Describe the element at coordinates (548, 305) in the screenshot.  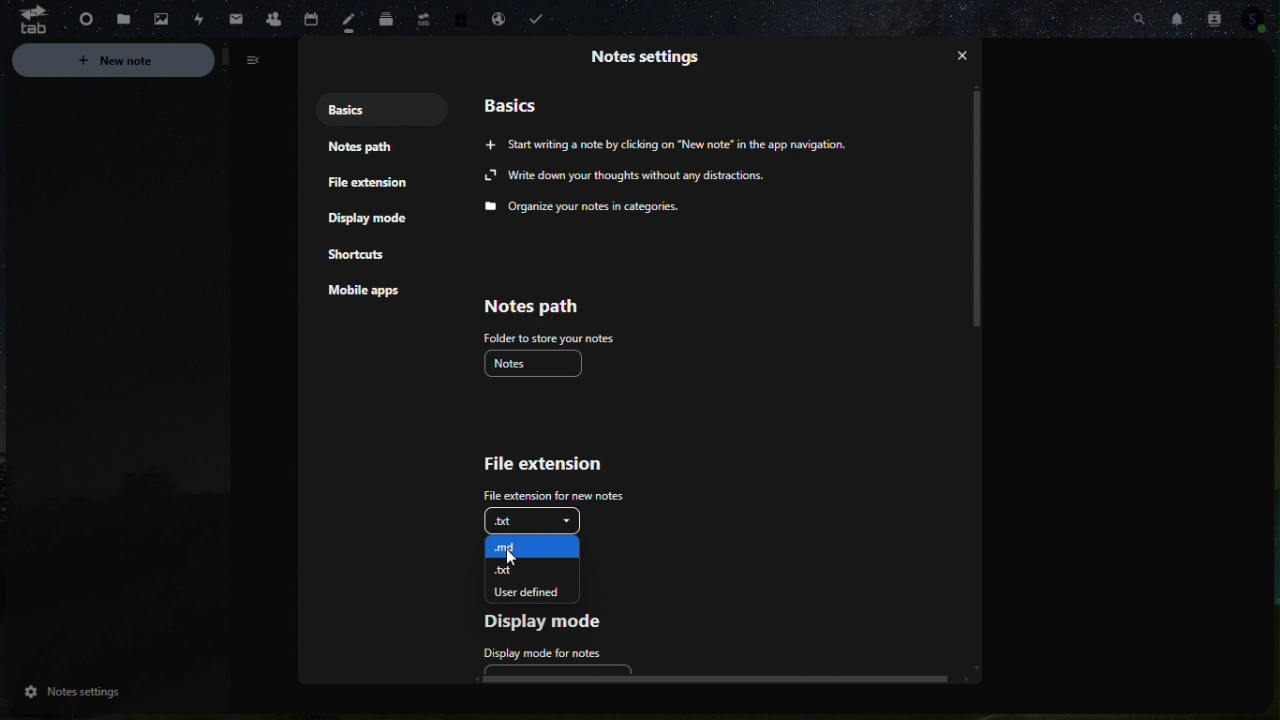
I see `Note path` at that location.